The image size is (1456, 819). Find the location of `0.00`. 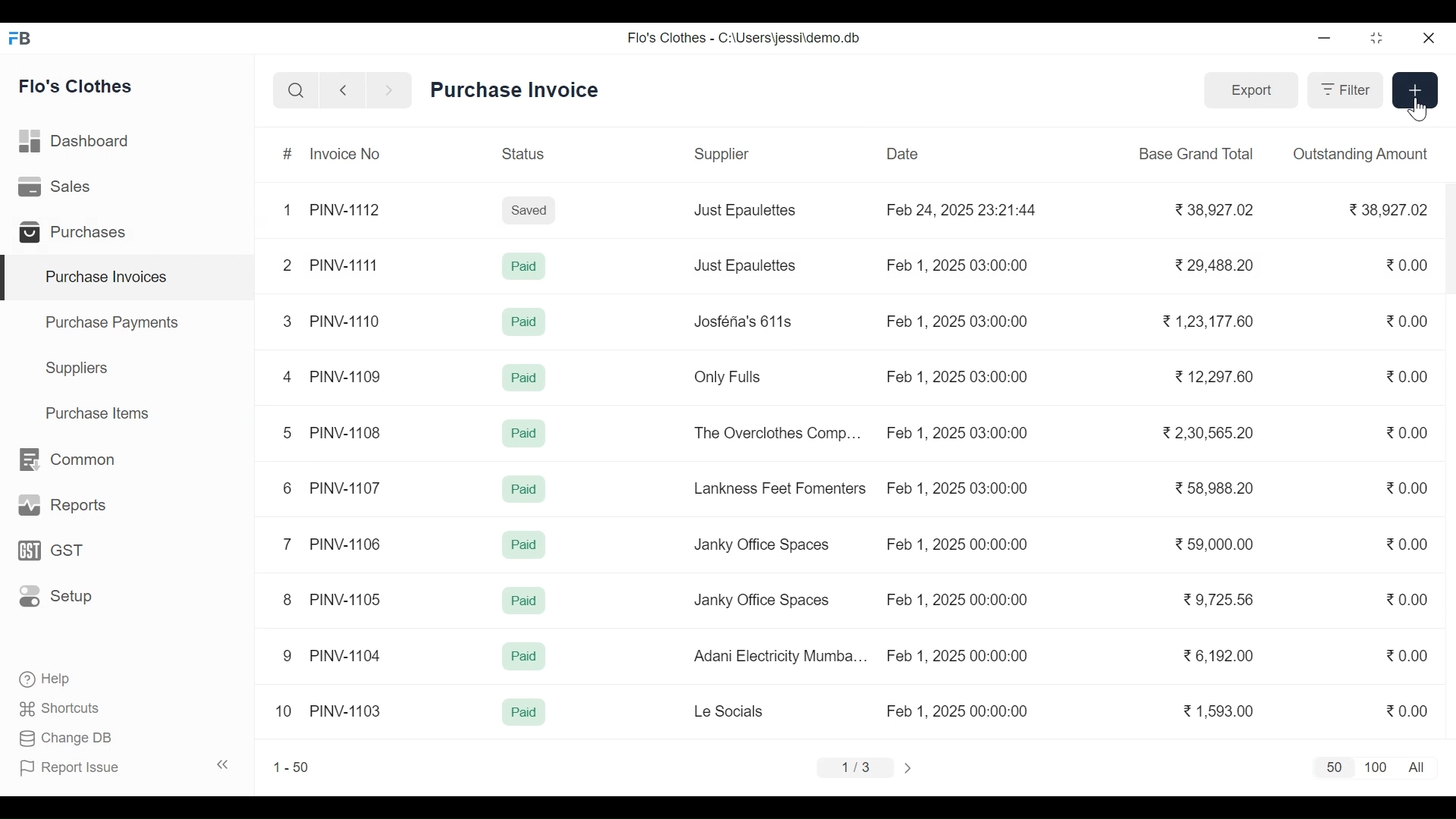

0.00 is located at coordinates (1407, 655).